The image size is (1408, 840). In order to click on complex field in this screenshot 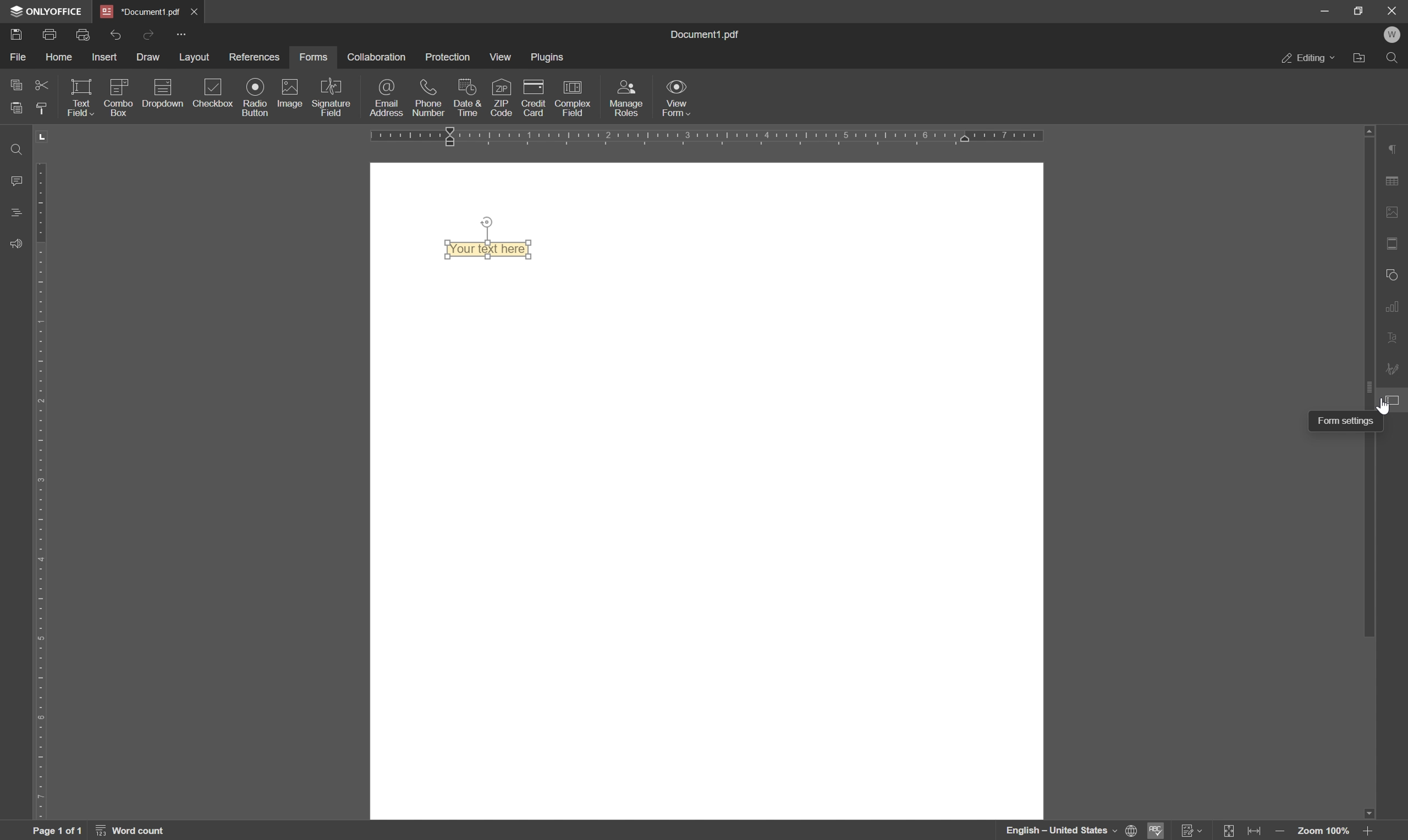, I will do `click(572, 99)`.